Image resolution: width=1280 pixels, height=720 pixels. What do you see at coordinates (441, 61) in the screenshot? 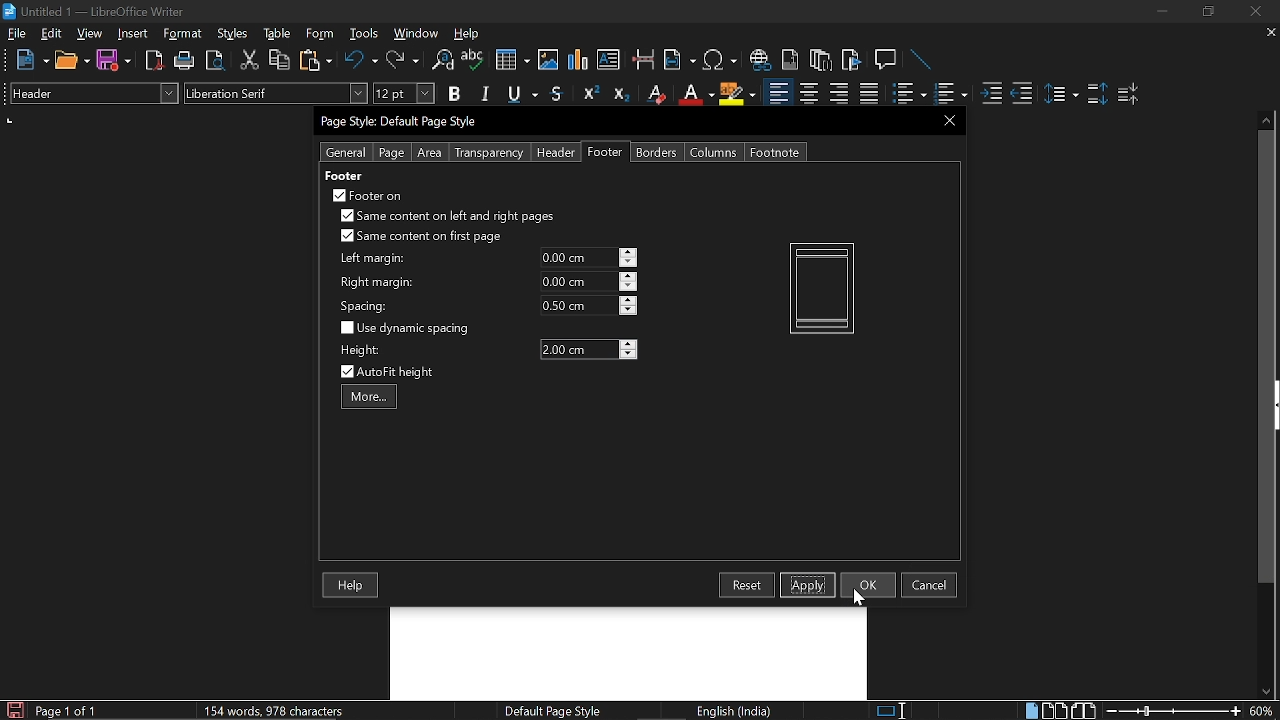
I see `Find and replace` at bounding box center [441, 61].